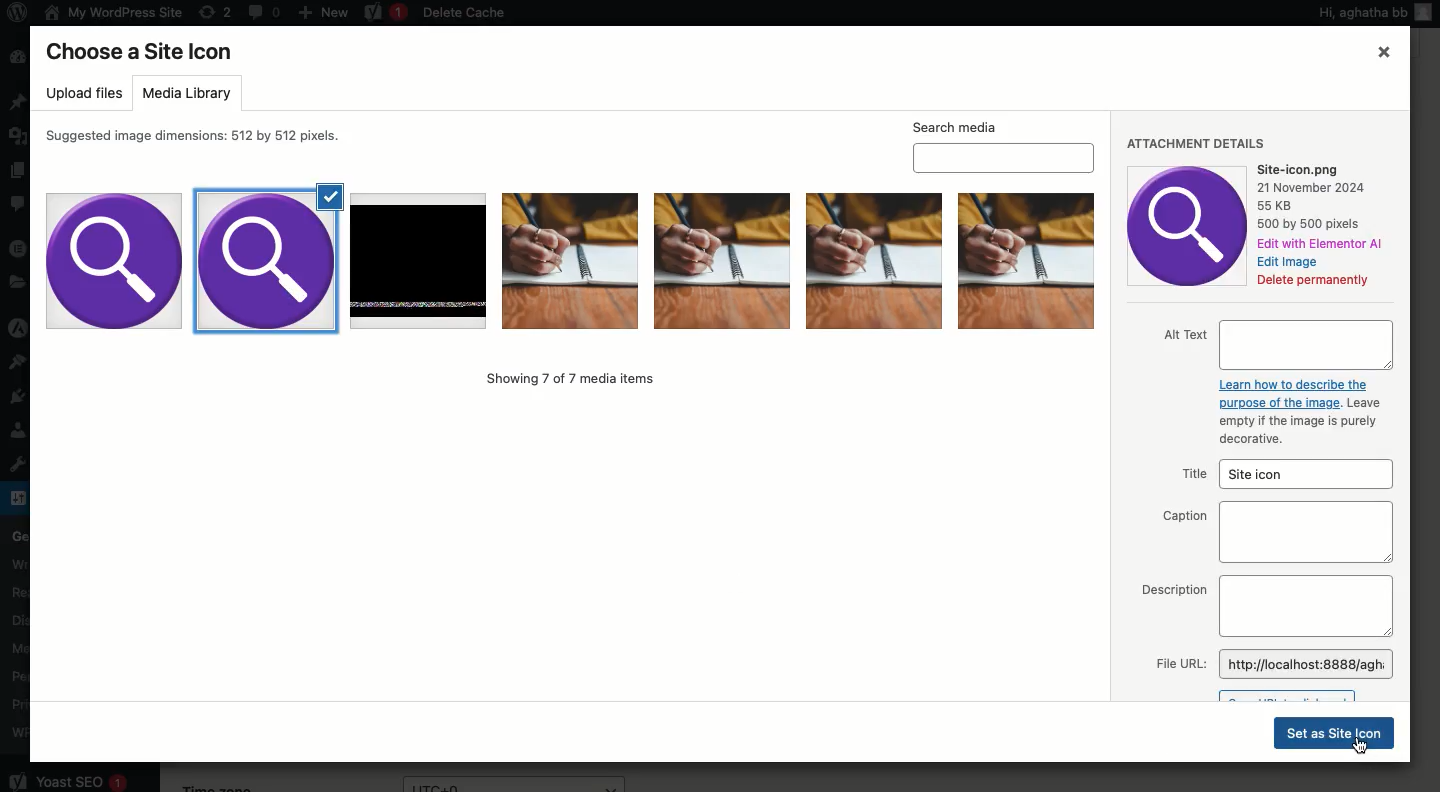  Describe the element at coordinates (19, 646) in the screenshot. I see `Media` at that location.